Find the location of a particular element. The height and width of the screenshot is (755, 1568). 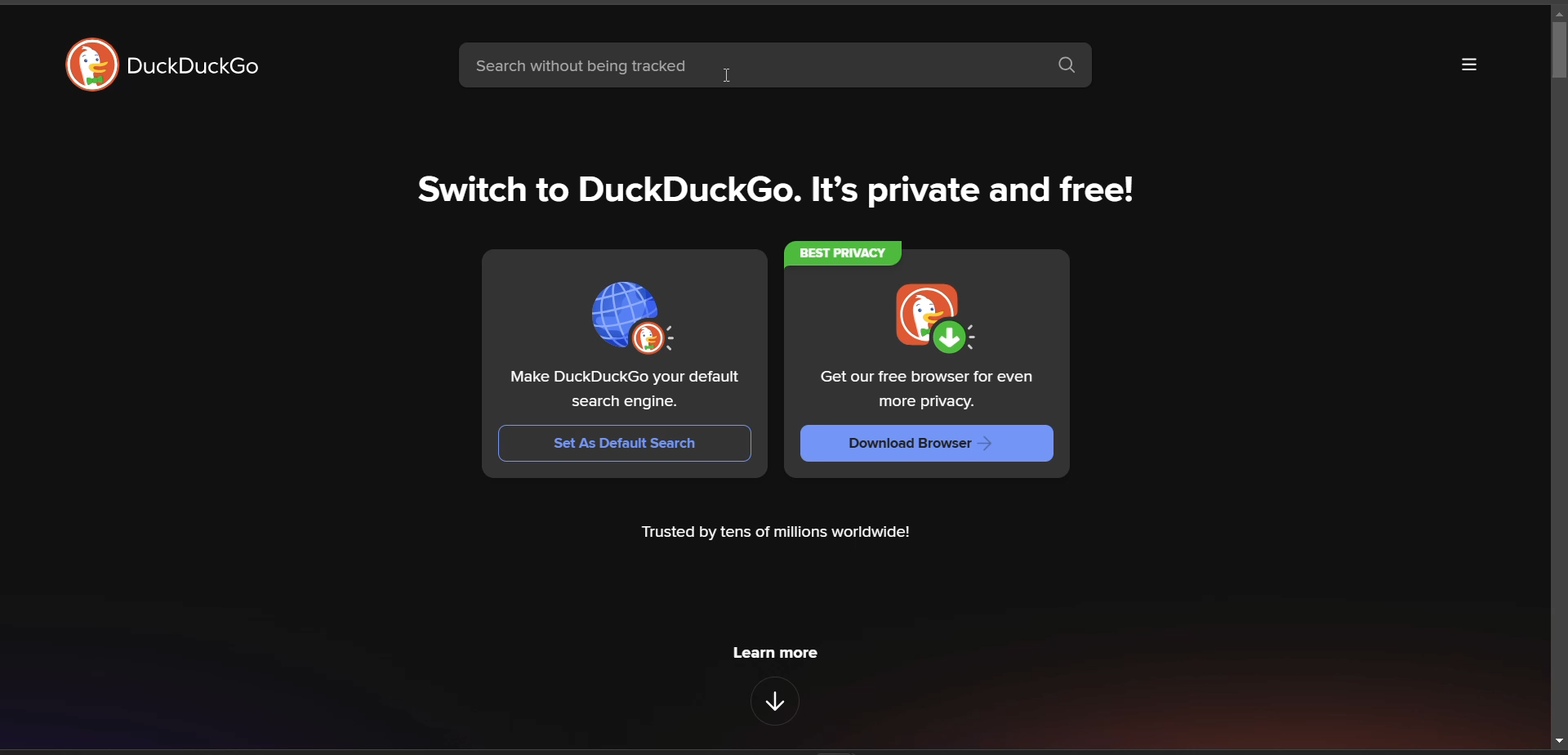

Trusted by tens of millions worldwide! is located at coordinates (775, 534).